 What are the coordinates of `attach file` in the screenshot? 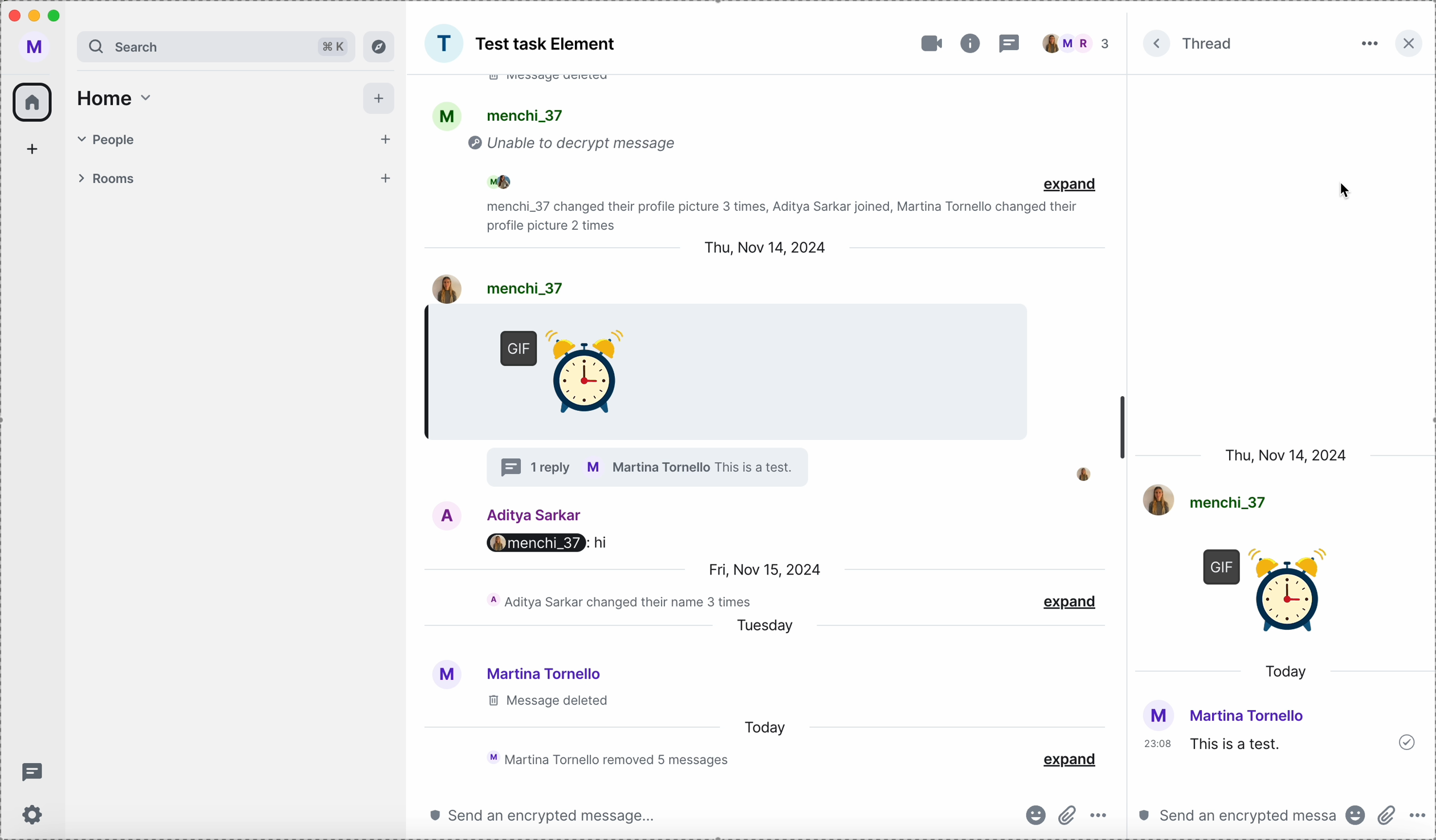 It's located at (1386, 816).